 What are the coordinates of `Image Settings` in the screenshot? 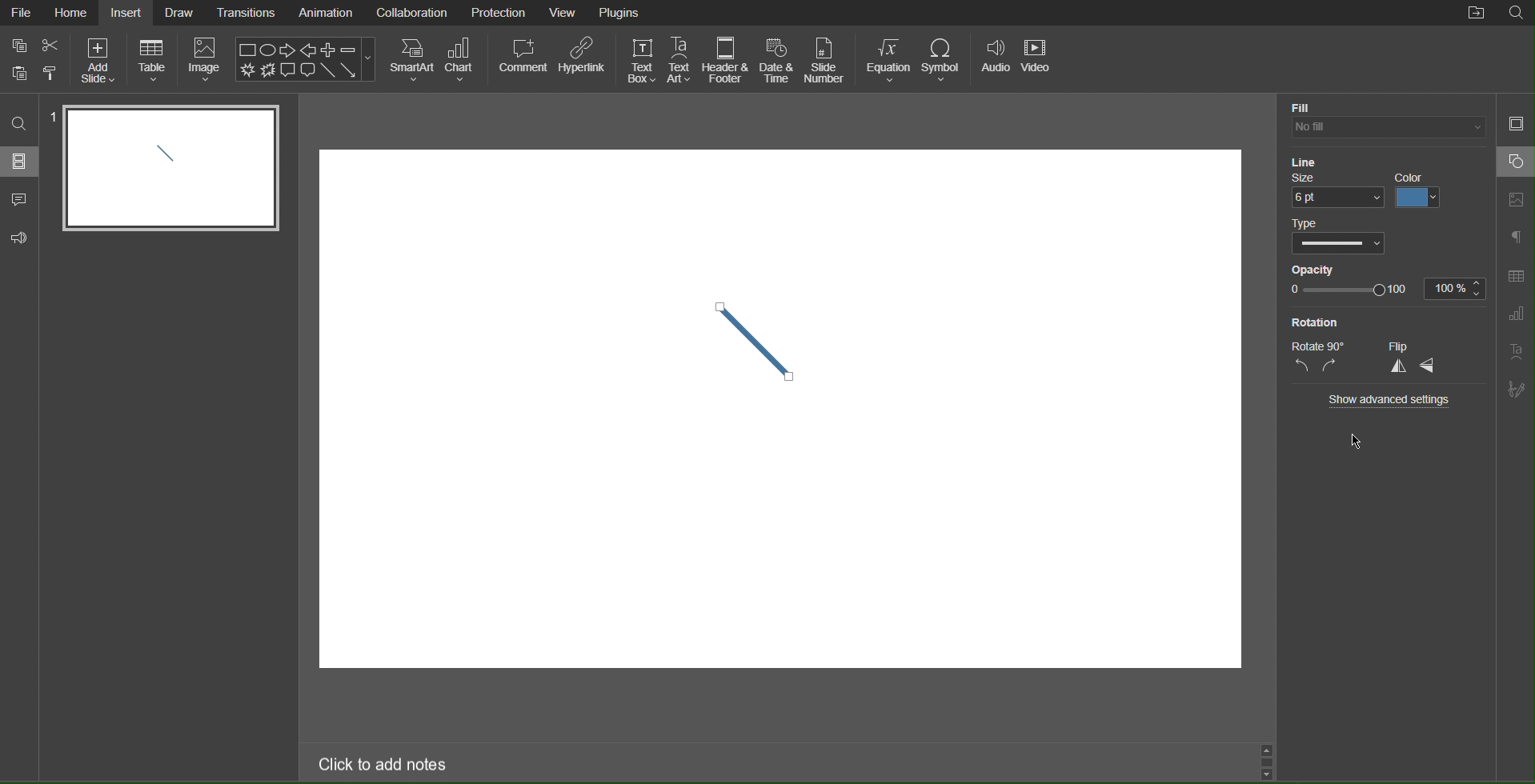 It's located at (1516, 201).